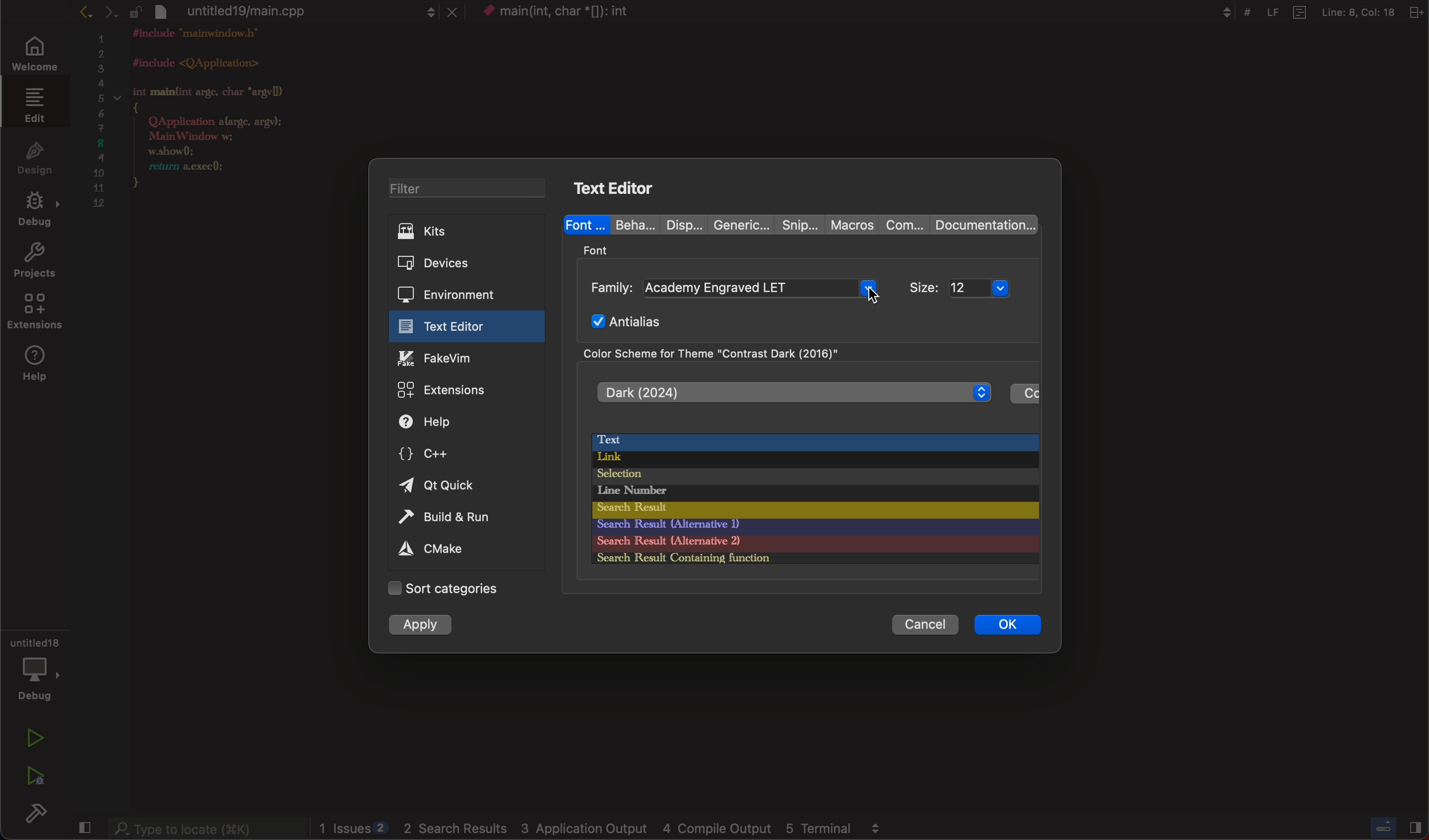  What do you see at coordinates (586, 223) in the screenshot?
I see `font` at bounding box center [586, 223].